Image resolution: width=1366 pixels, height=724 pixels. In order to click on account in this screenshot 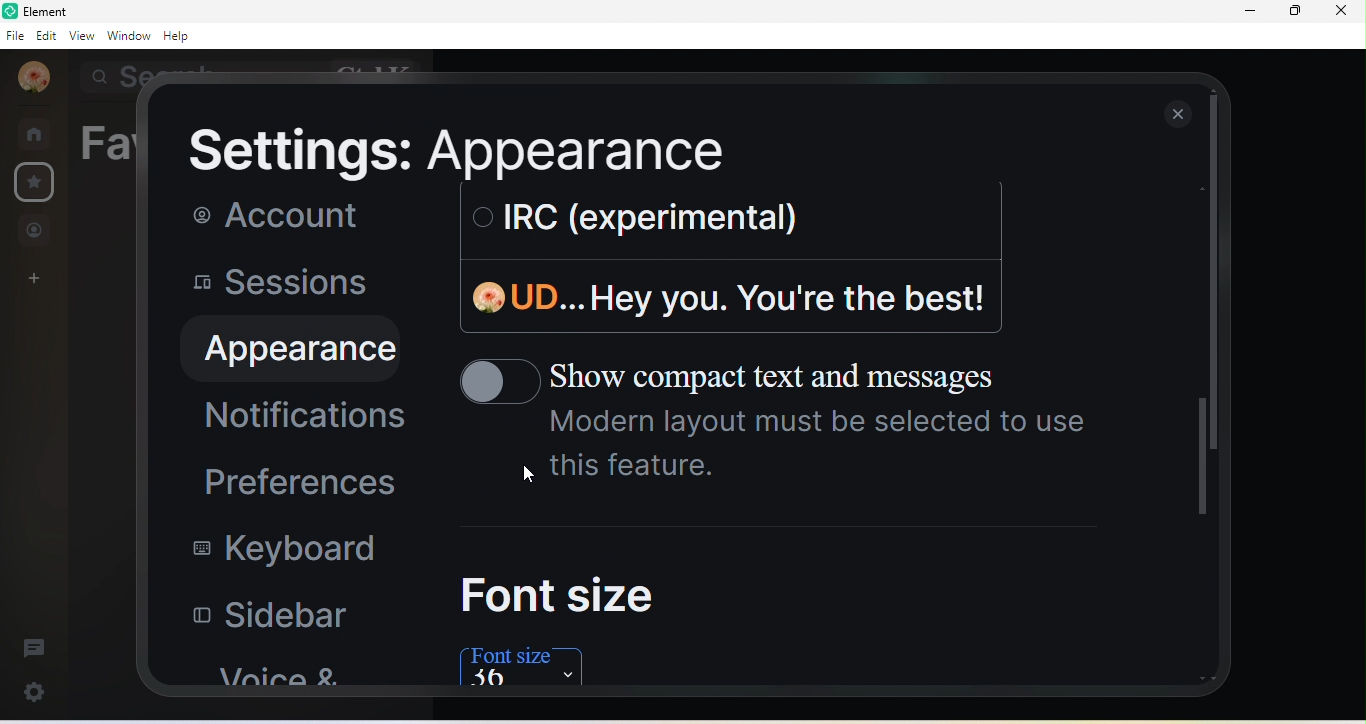, I will do `click(265, 216)`.